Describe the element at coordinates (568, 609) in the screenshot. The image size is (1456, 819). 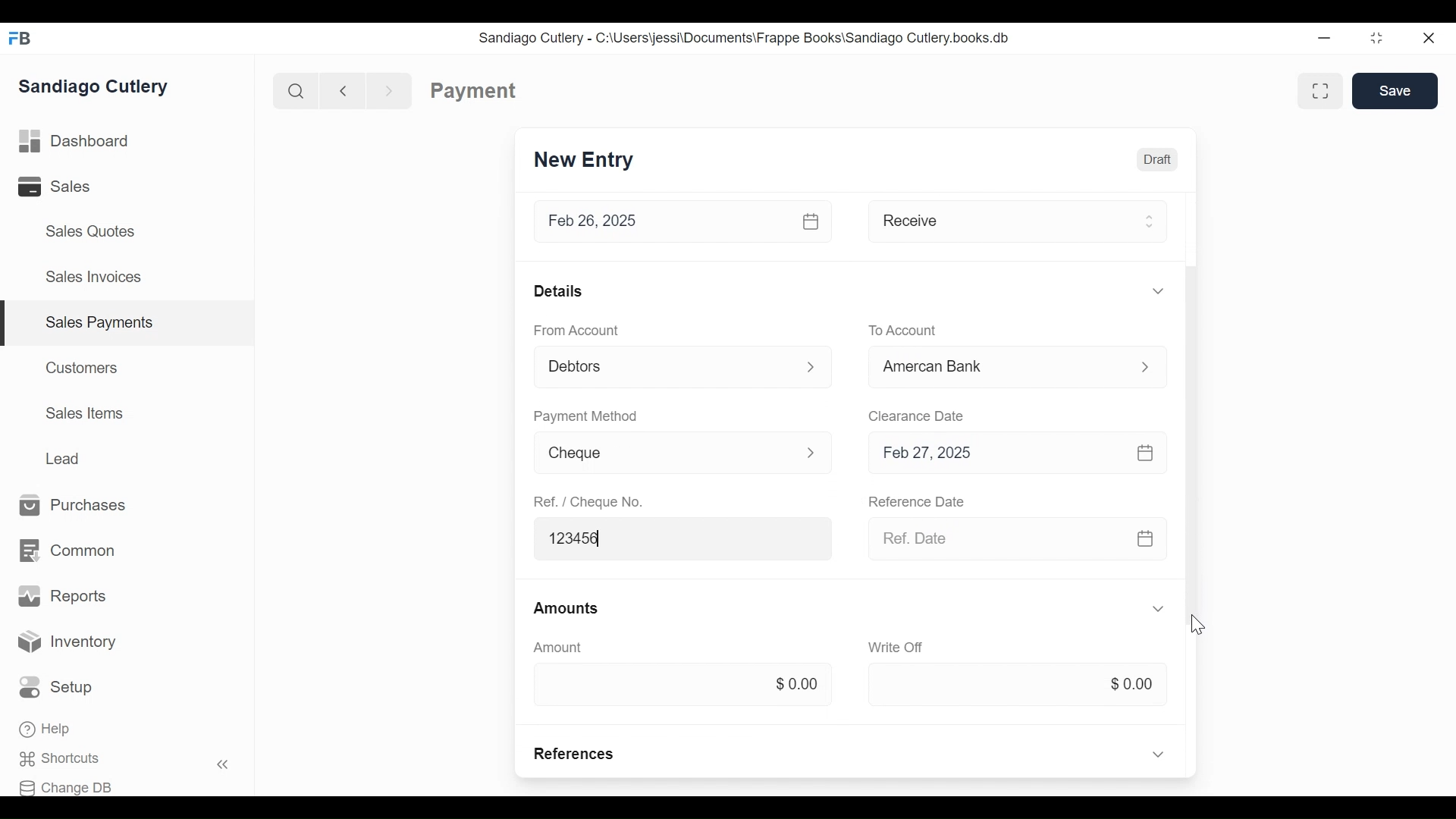
I see `Amounts` at that location.